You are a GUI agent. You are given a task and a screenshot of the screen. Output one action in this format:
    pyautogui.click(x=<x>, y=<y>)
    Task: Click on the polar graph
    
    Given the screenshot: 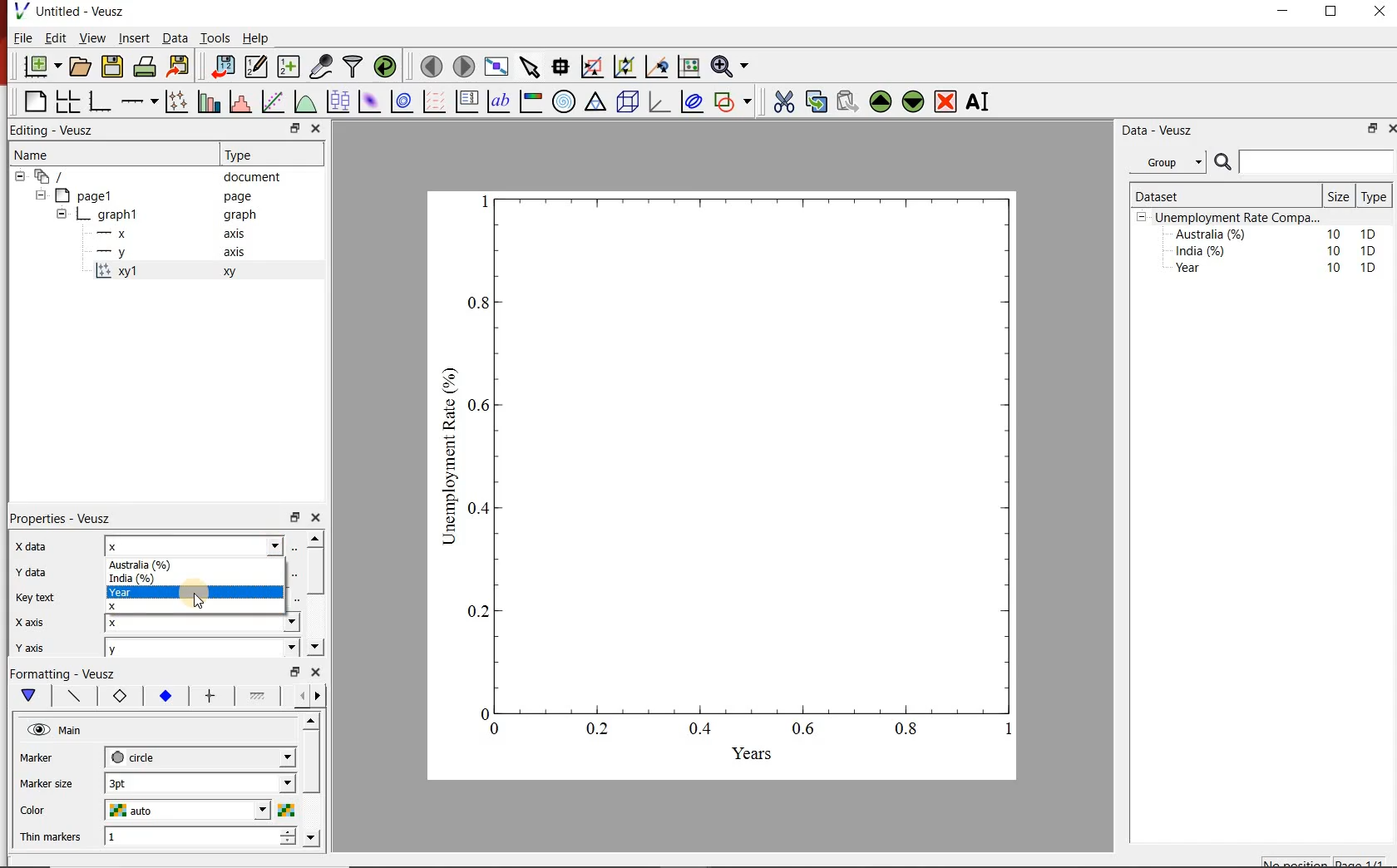 What is the action you would take?
    pyautogui.click(x=565, y=102)
    